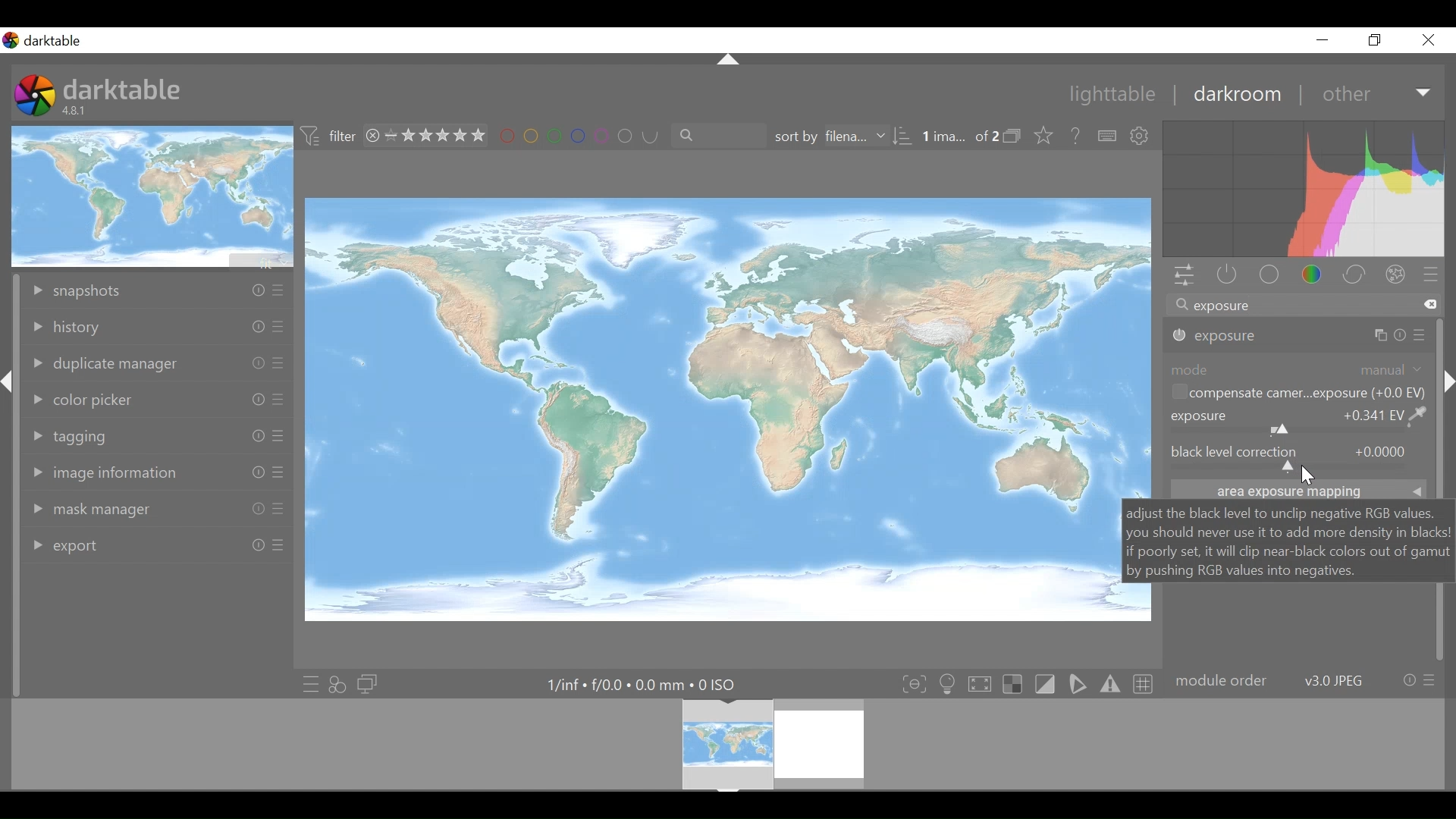  Describe the element at coordinates (1303, 303) in the screenshot. I see `search bar` at that location.